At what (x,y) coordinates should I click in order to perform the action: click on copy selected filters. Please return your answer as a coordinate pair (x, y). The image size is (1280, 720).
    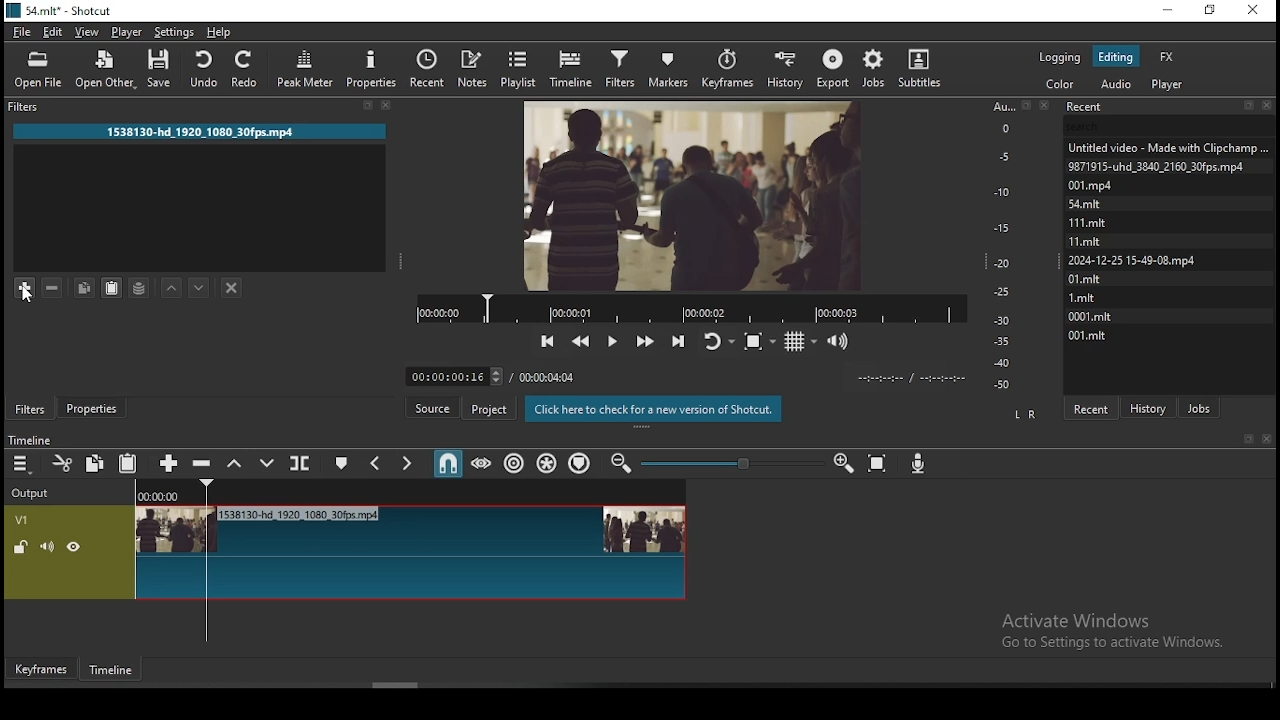
    Looking at the image, I should click on (85, 290).